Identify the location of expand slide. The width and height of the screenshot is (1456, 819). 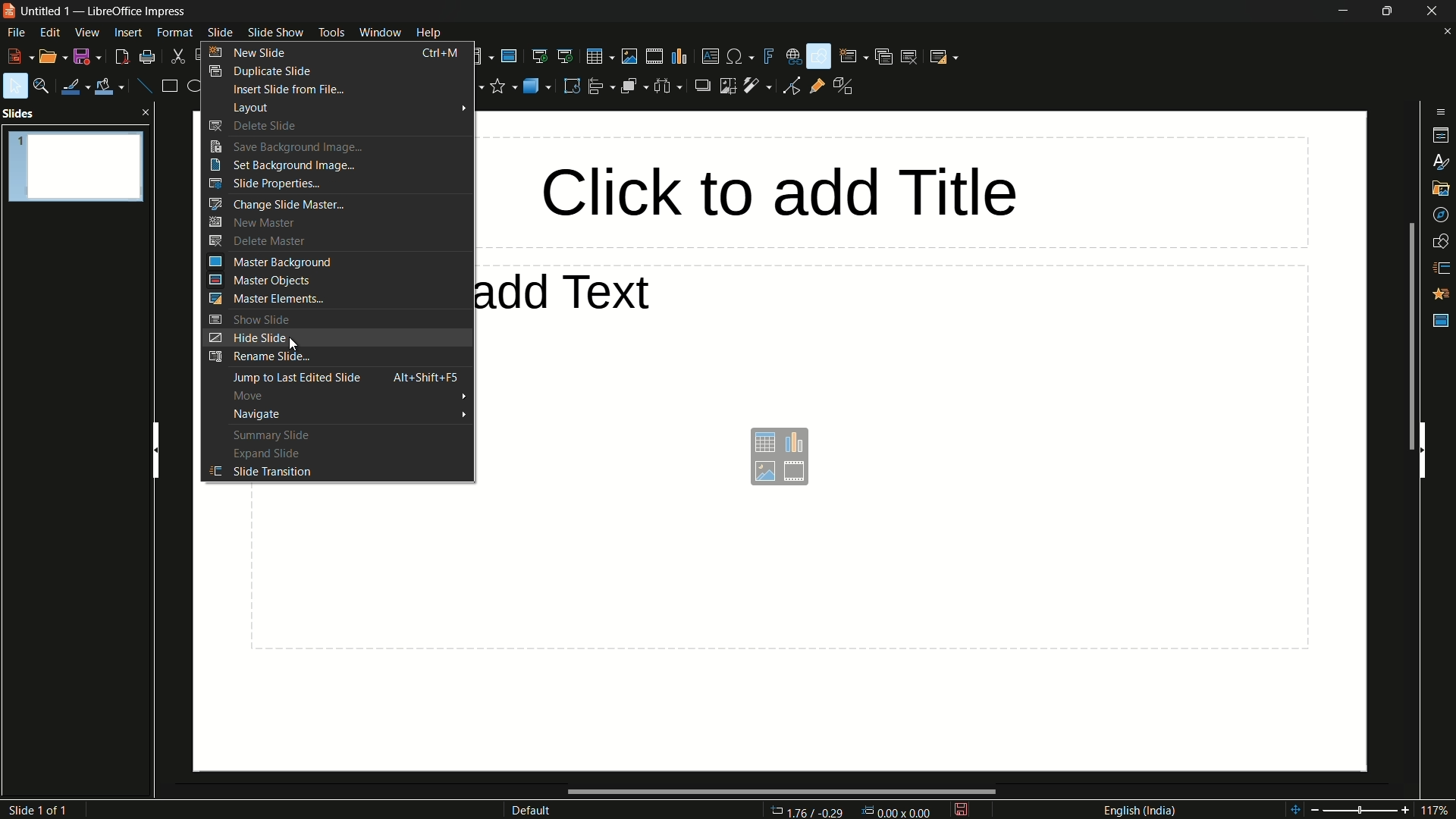
(266, 453).